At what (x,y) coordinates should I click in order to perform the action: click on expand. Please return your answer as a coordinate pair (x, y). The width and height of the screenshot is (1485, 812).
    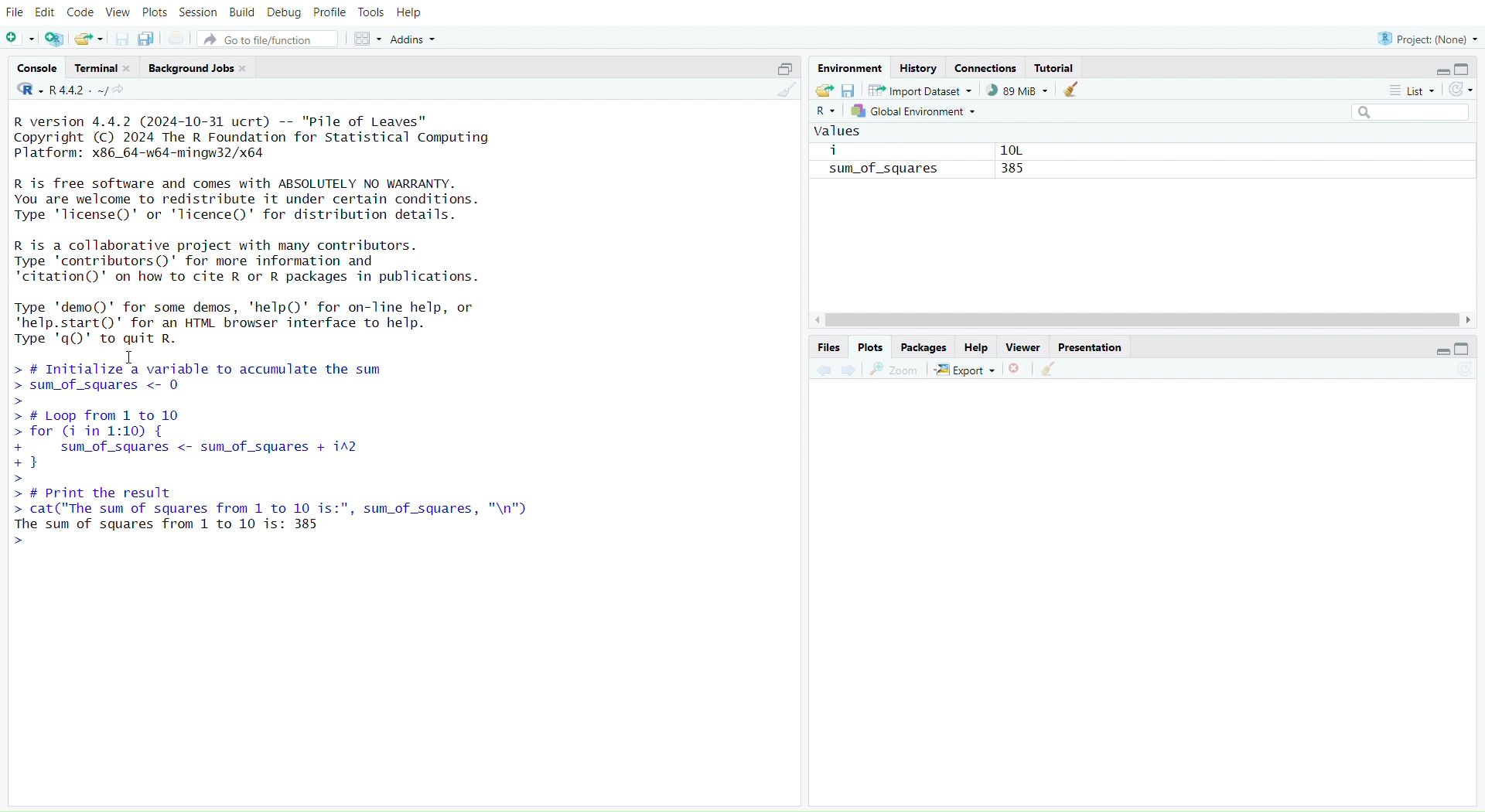
    Looking at the image, I should click on (1441, 351).